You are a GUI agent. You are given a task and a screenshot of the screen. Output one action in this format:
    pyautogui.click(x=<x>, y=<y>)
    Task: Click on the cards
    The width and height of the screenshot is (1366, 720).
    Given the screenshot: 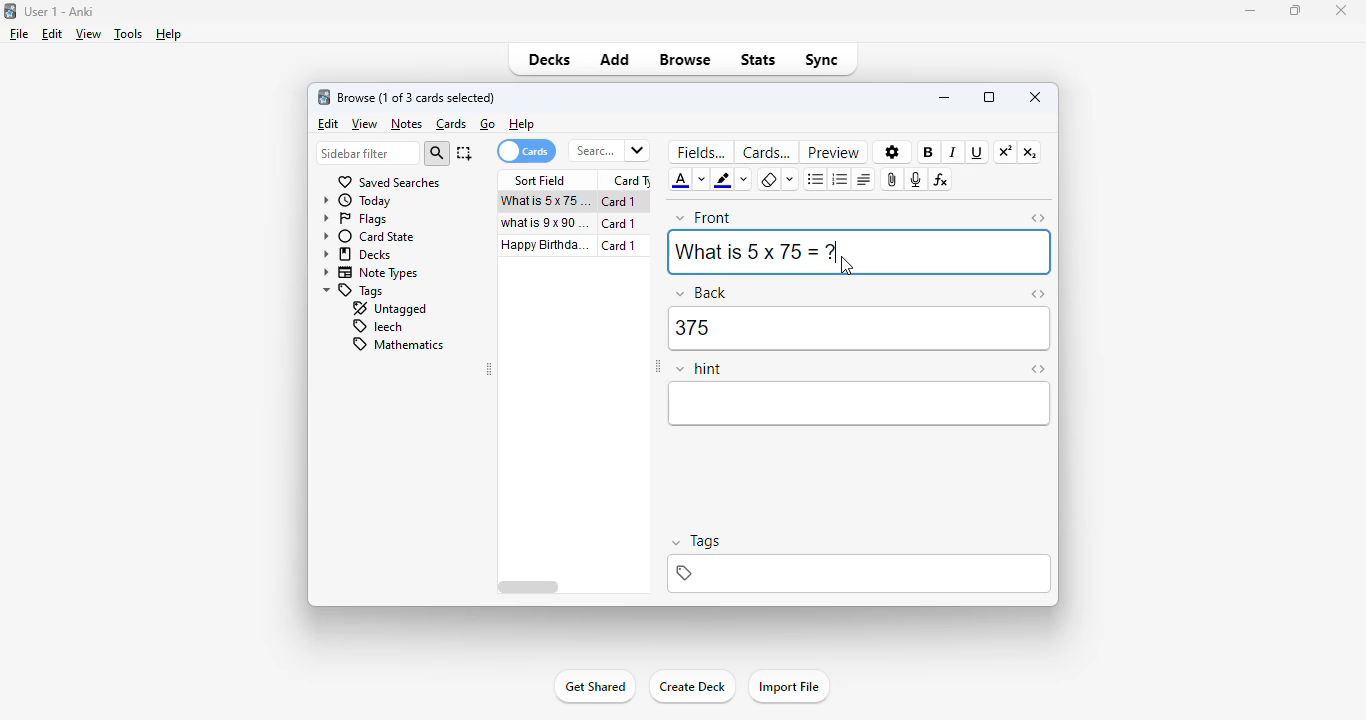 What is the action you would take?
    pyautogui.click(x=451, y=125)
    